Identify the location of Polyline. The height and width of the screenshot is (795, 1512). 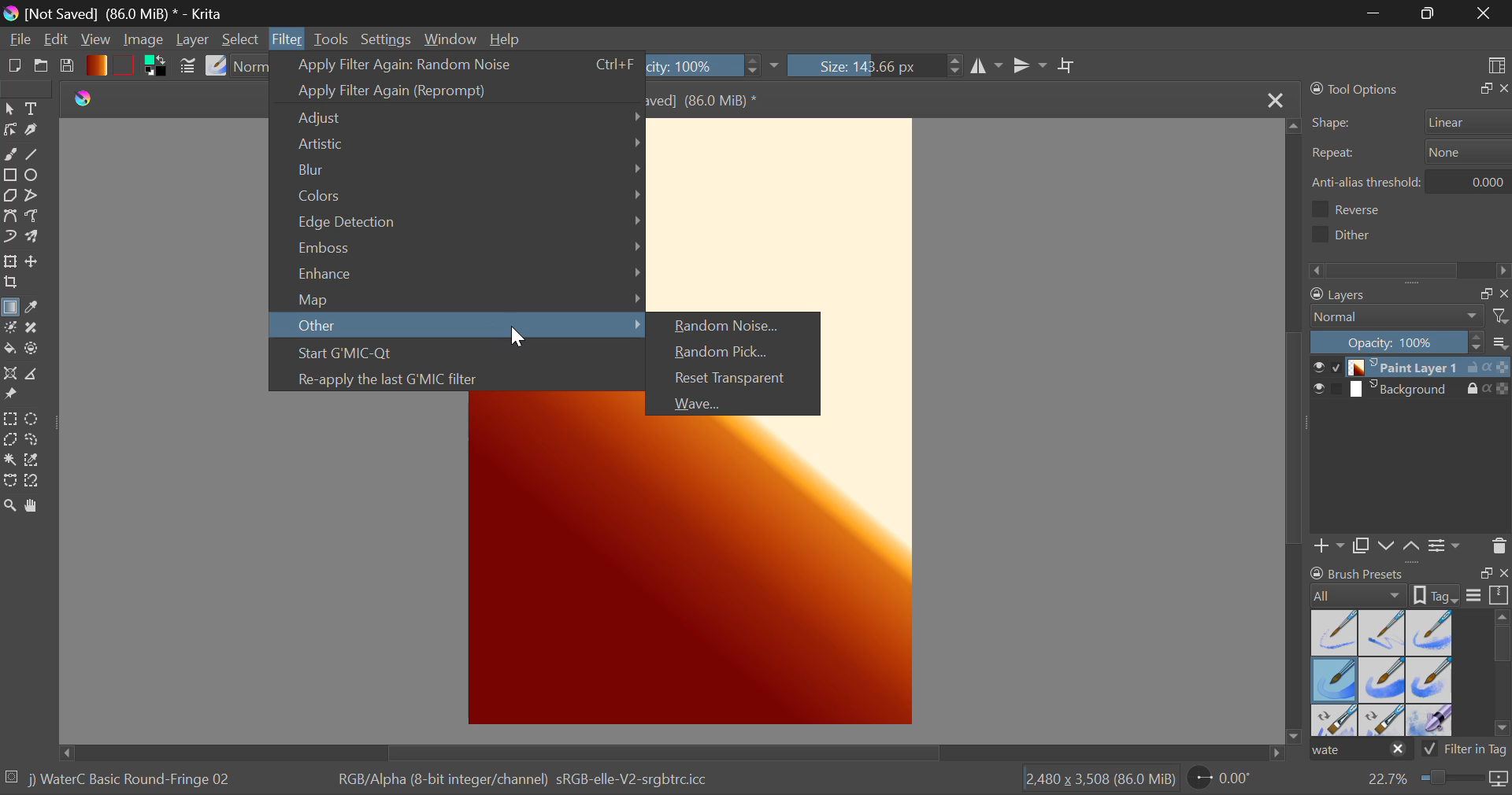
(34, 196).